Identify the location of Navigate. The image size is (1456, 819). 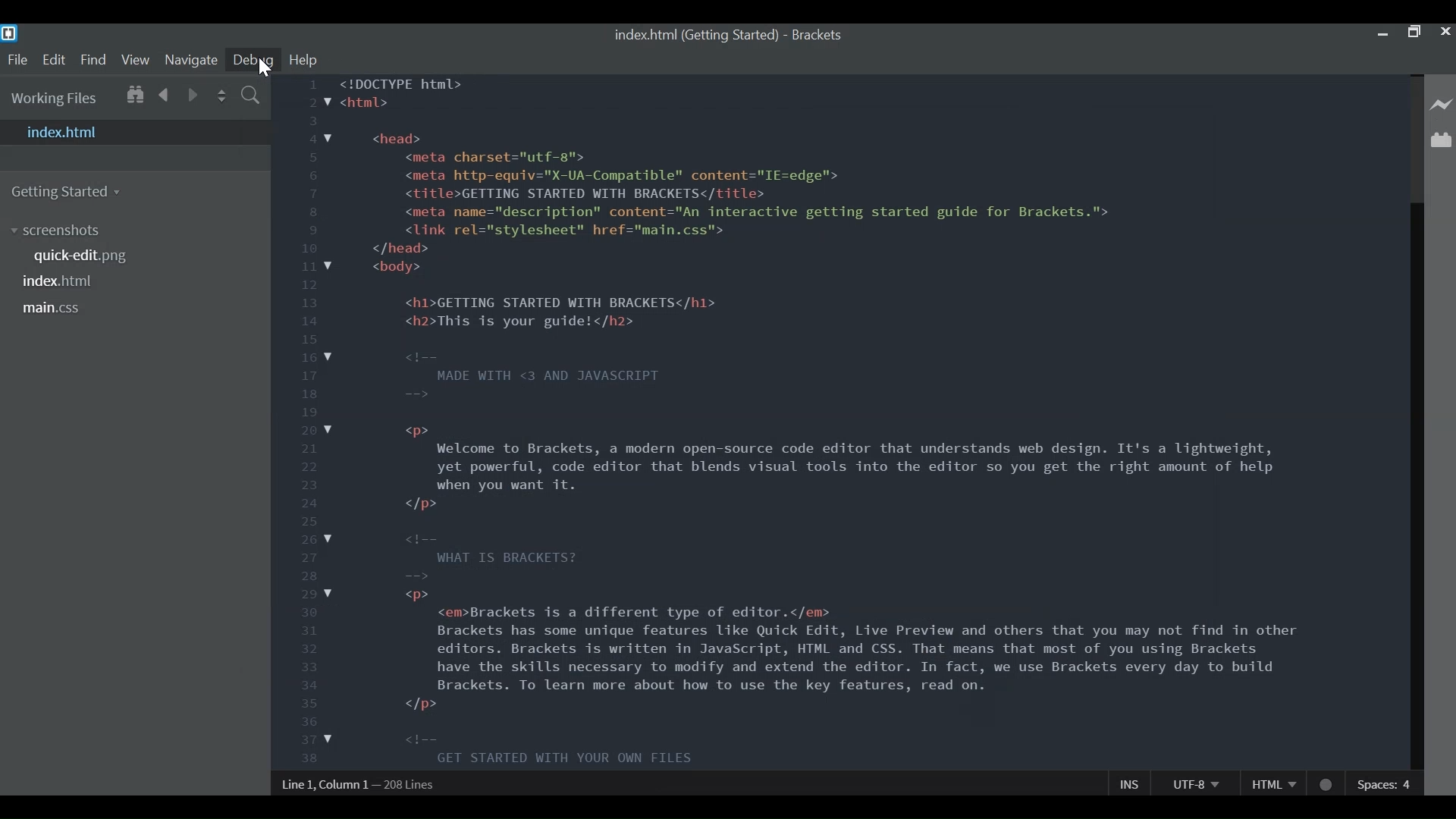
(190, 60).